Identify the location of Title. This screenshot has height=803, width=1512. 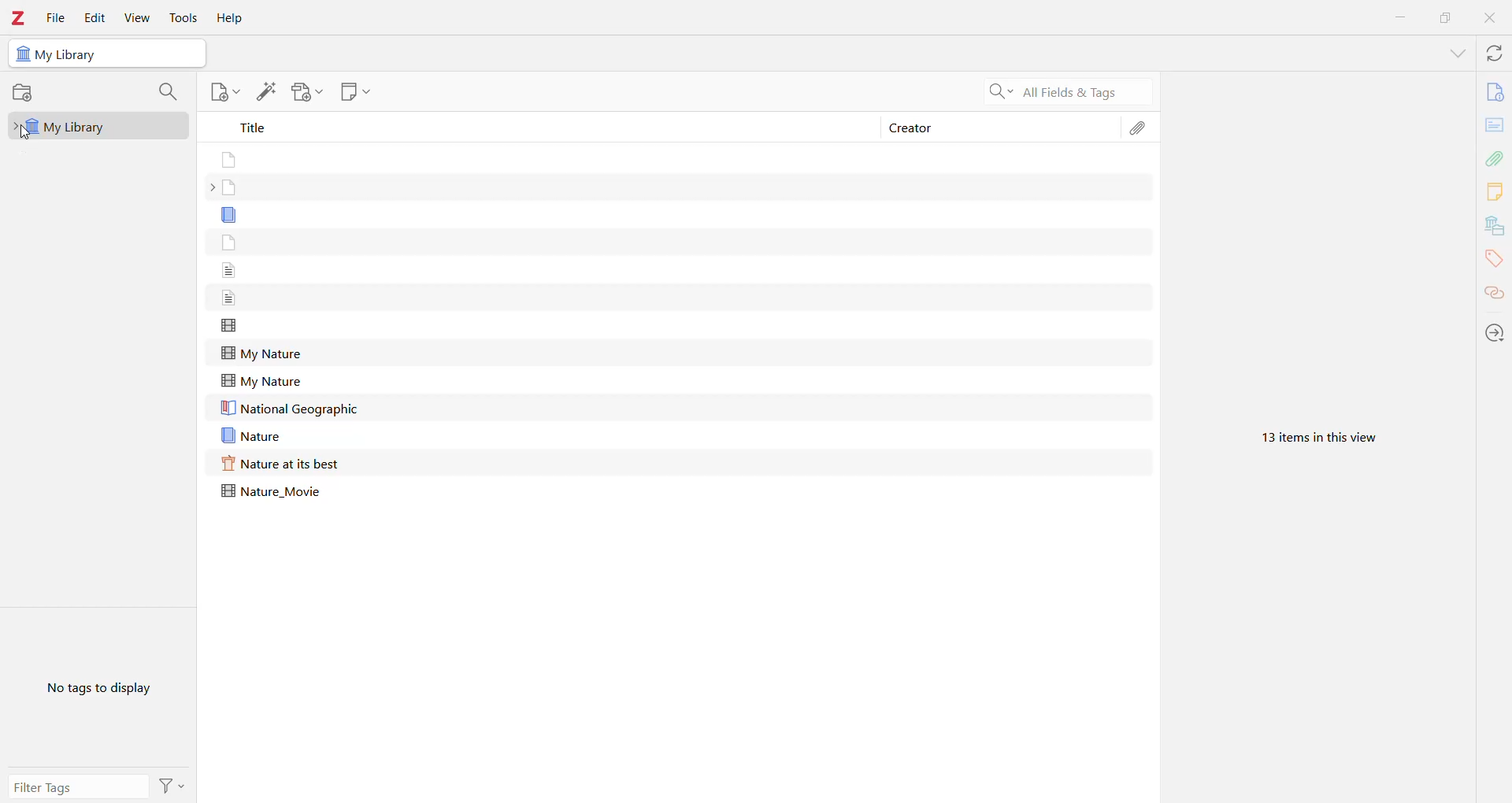
(539, 128).